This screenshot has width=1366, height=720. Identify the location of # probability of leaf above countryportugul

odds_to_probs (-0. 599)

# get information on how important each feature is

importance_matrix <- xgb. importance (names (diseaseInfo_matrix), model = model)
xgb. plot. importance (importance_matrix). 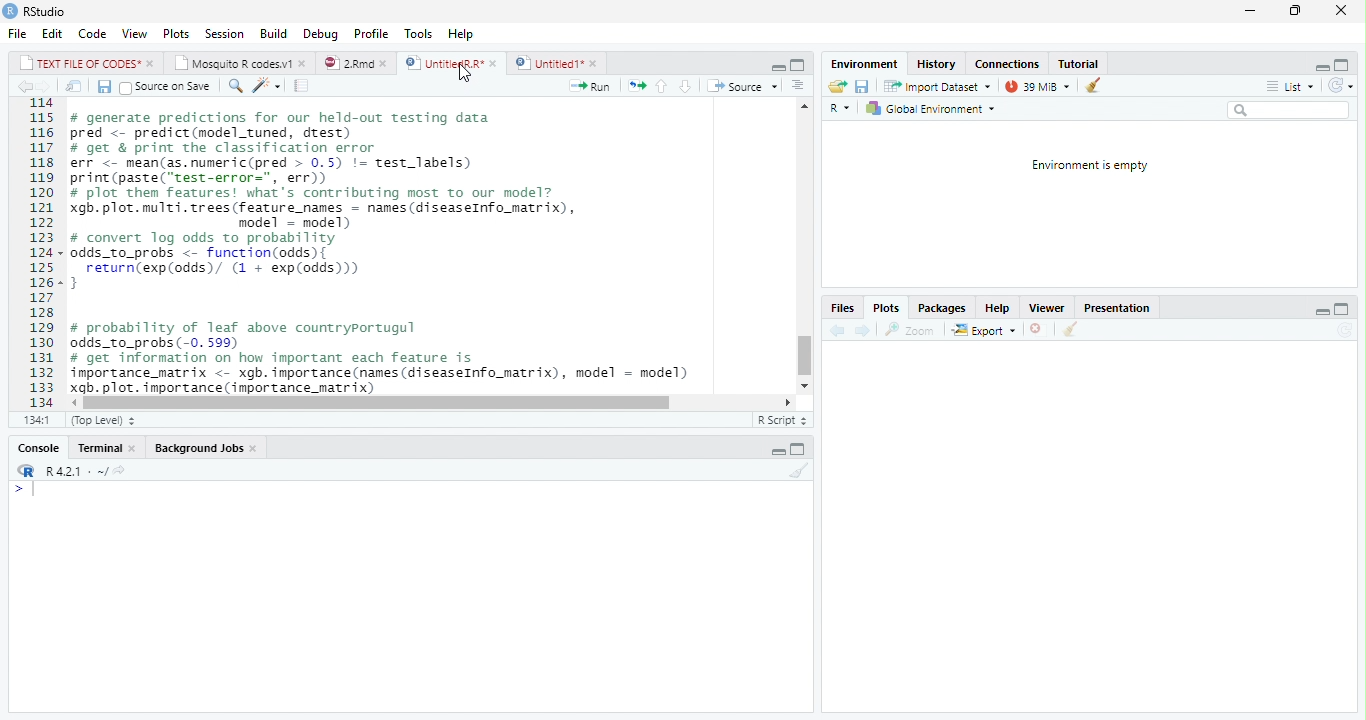
(388, 355).